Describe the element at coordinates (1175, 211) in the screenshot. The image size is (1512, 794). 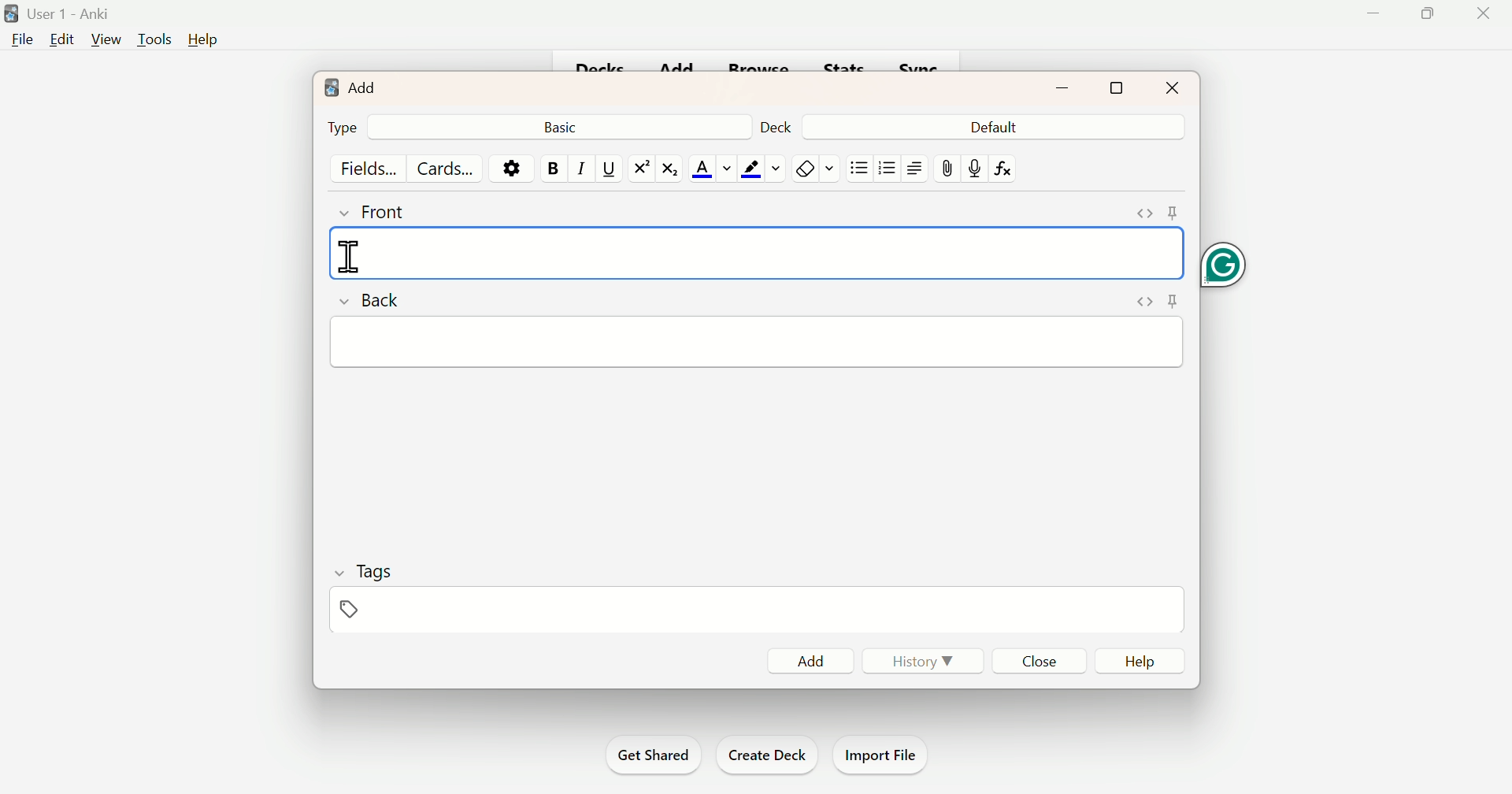
I see `pin` at that location.